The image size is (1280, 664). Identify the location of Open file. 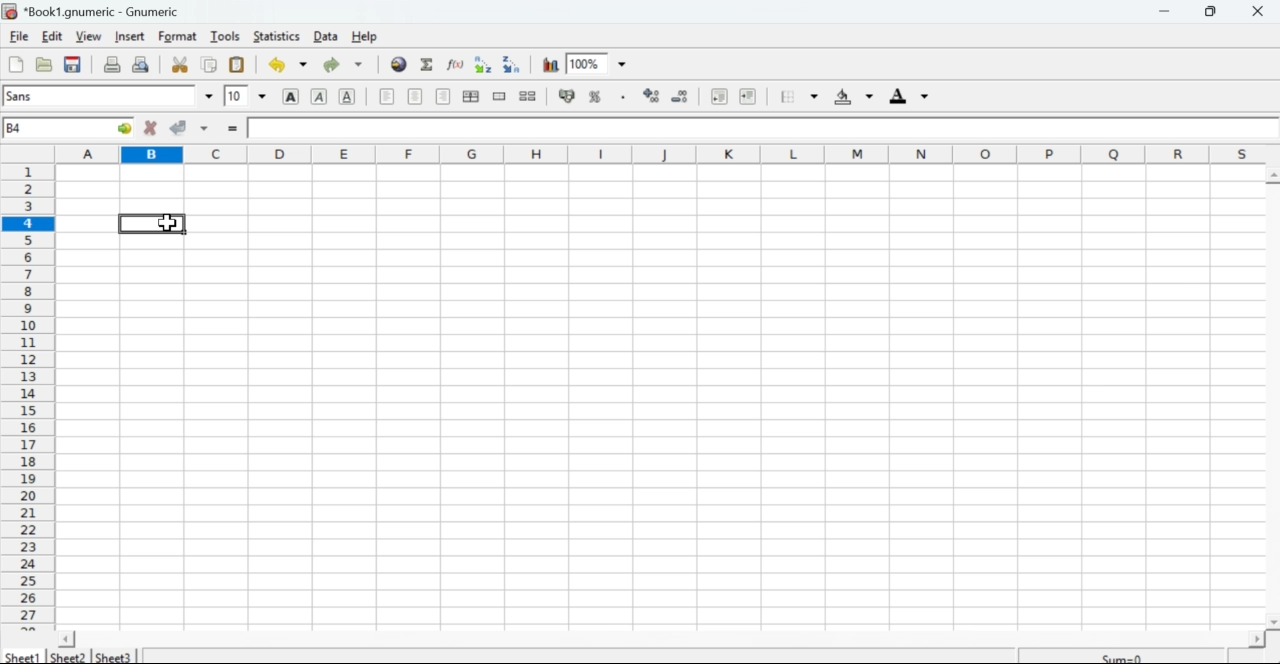
(45, 67).